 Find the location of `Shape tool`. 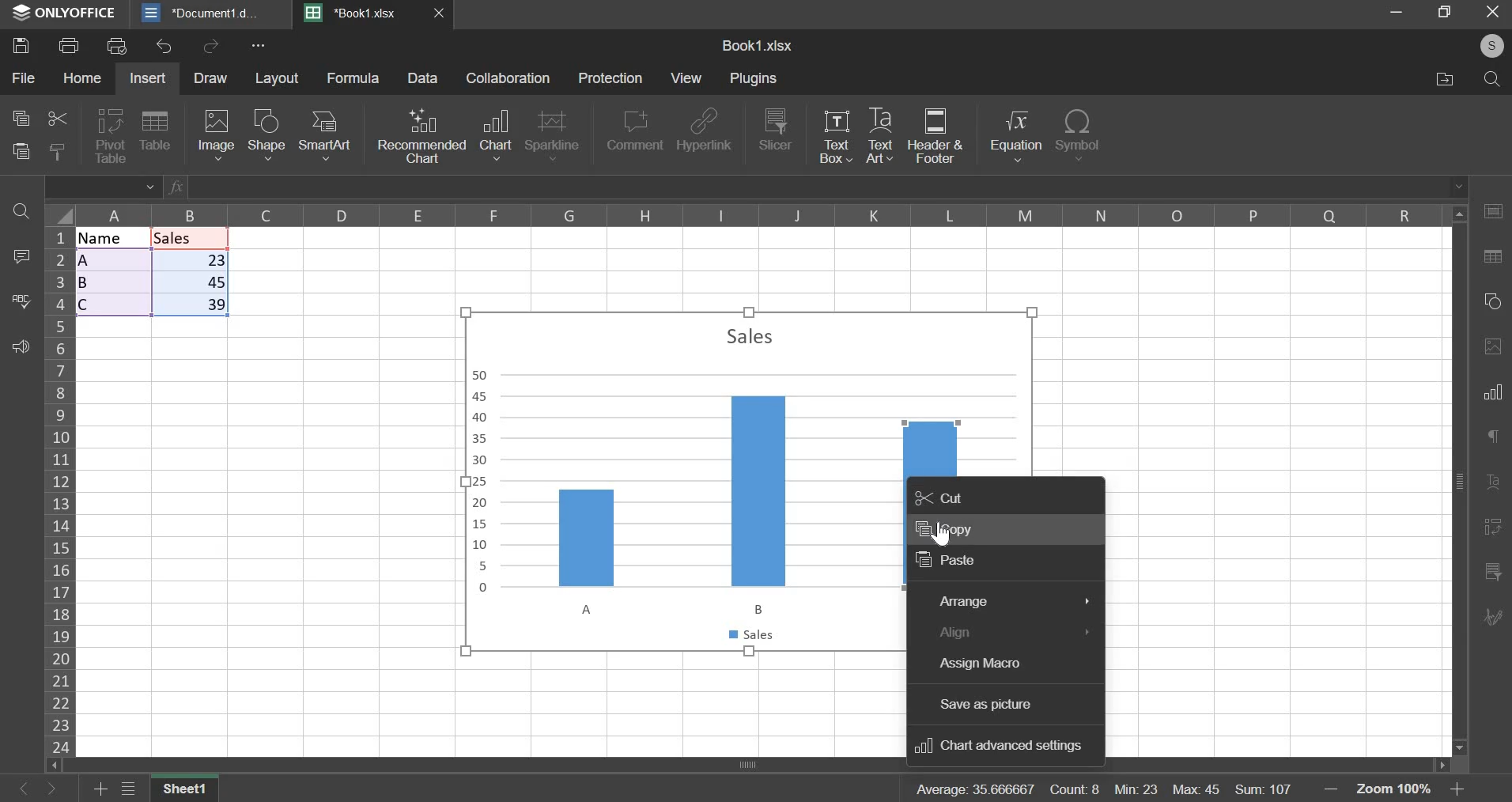

Shape tool is located at coordinates (1491, 301).